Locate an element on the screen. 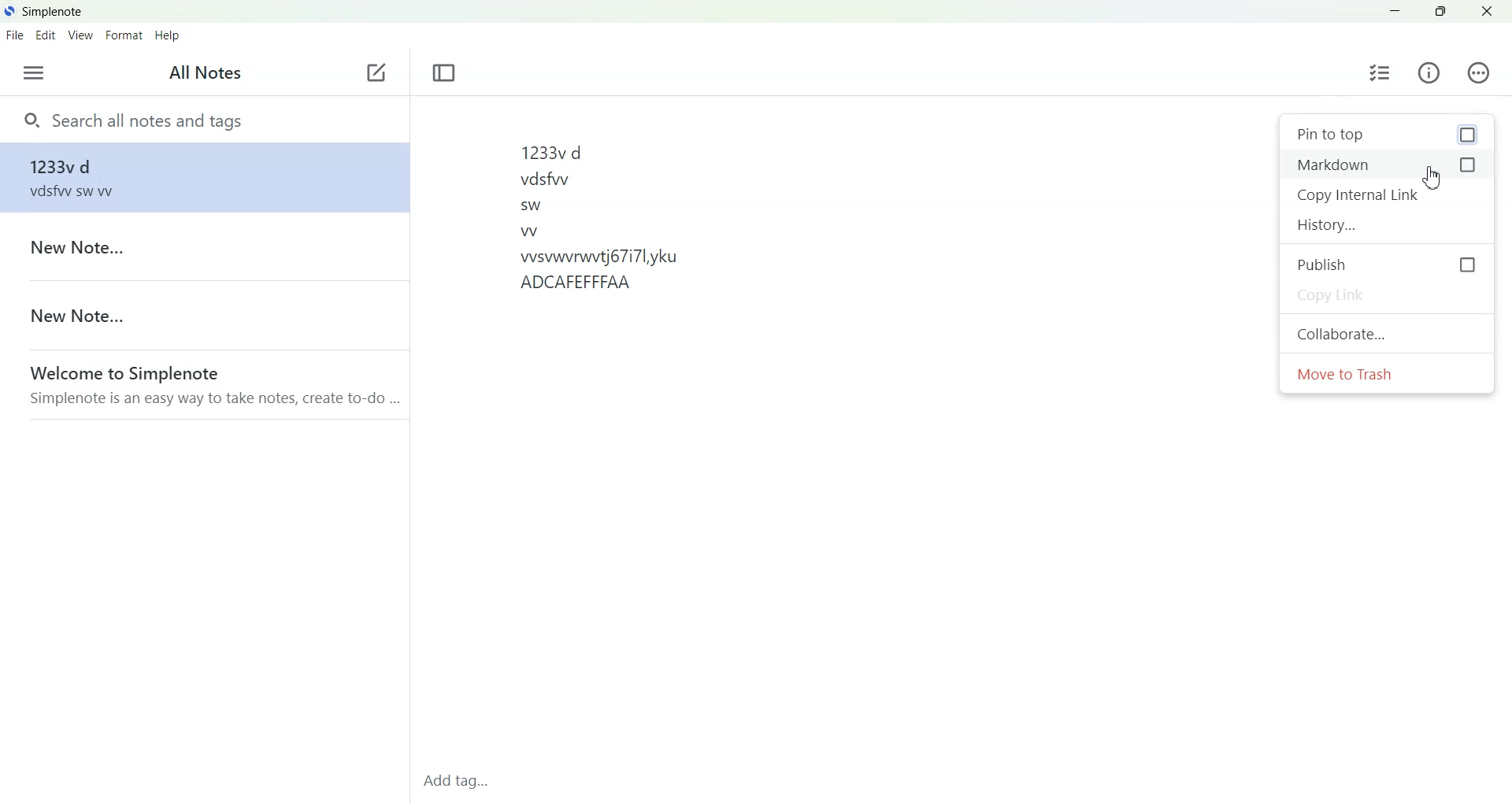  File is located at coordinates (15, 35).